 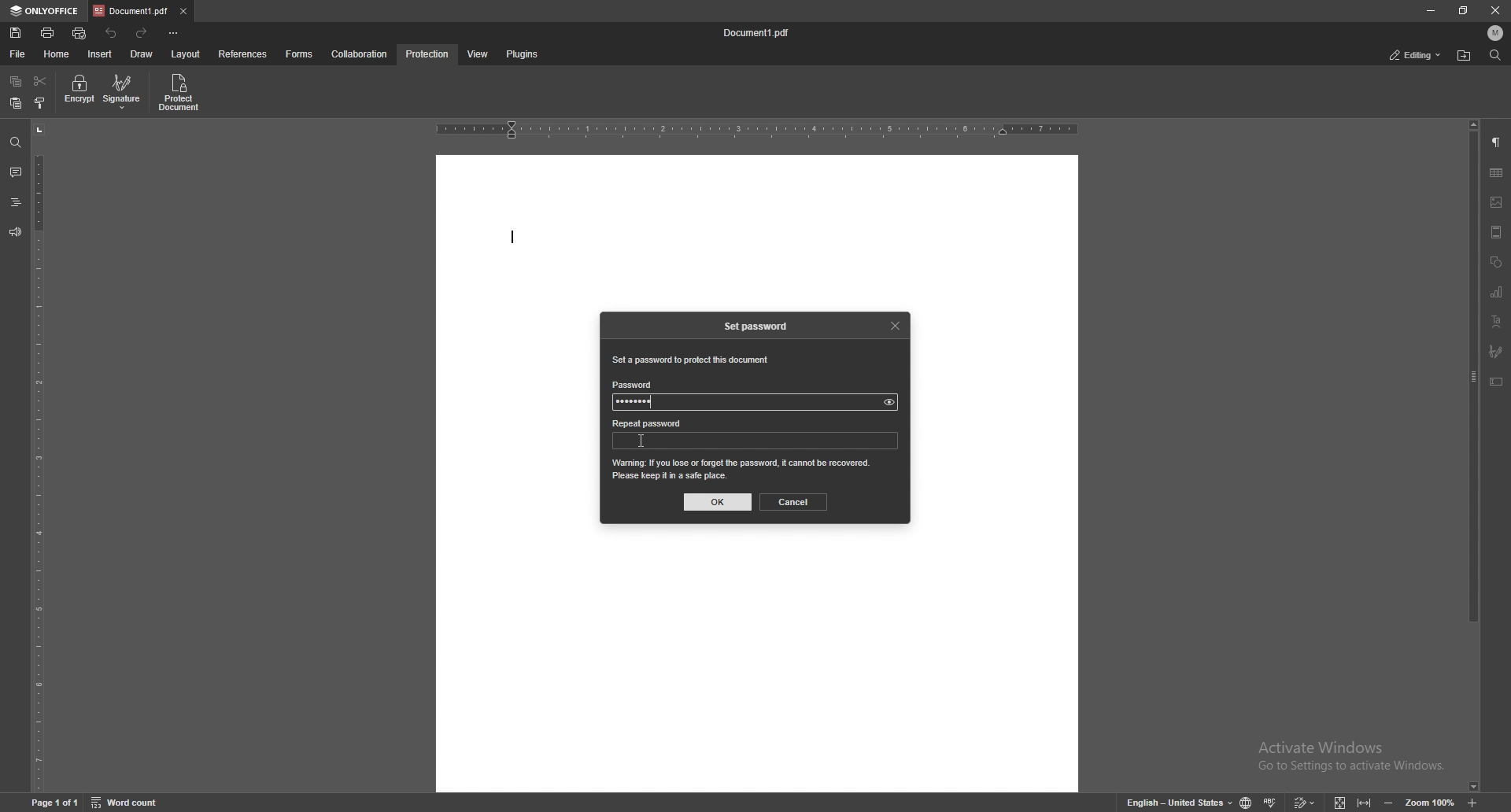 What do you see at coordinates (1465, 55) in the screenshot?
I see `locate file` at bounding box center [1465, 55].